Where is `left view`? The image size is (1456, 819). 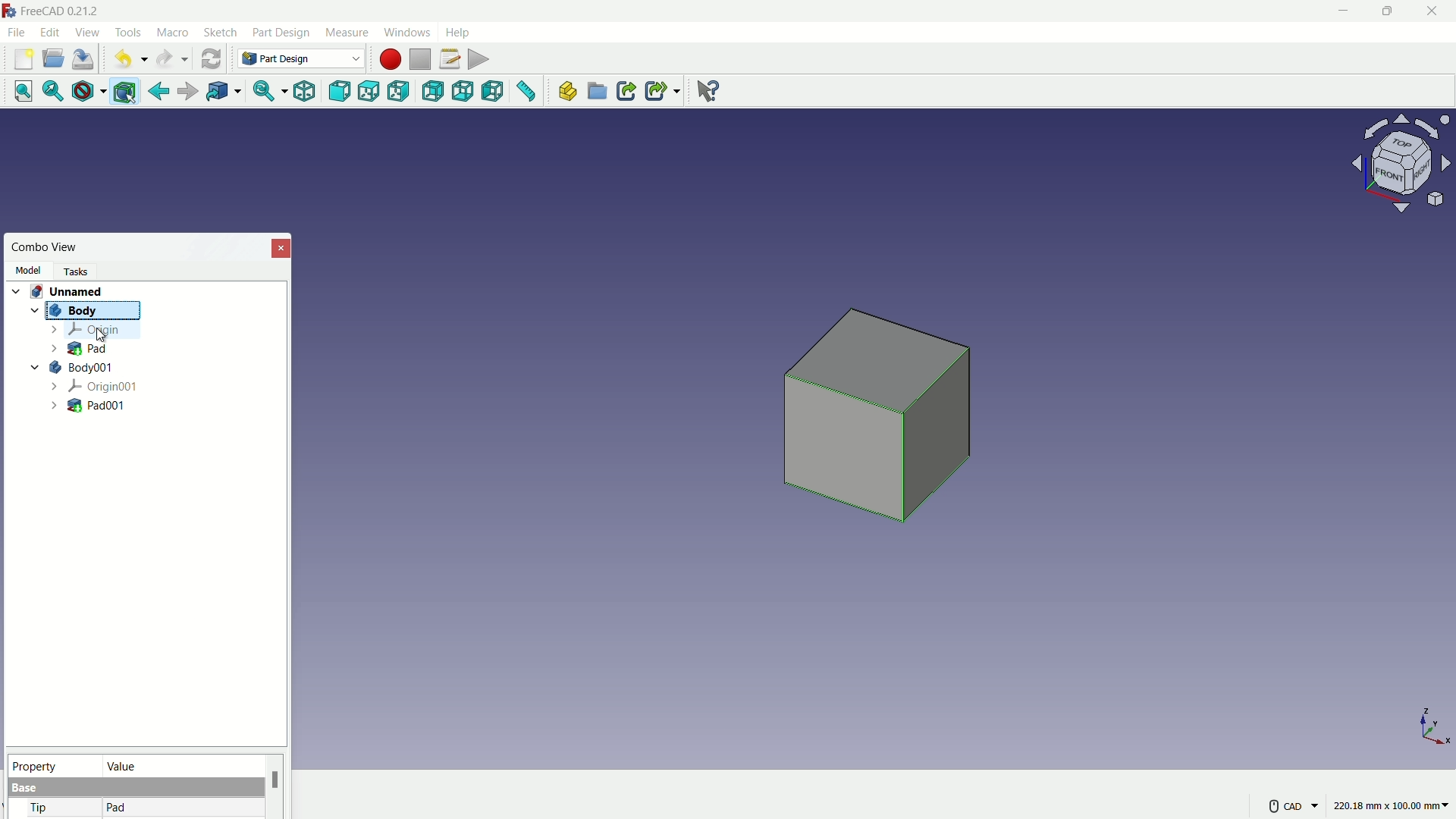
left view is located at coordinates (494, 93).